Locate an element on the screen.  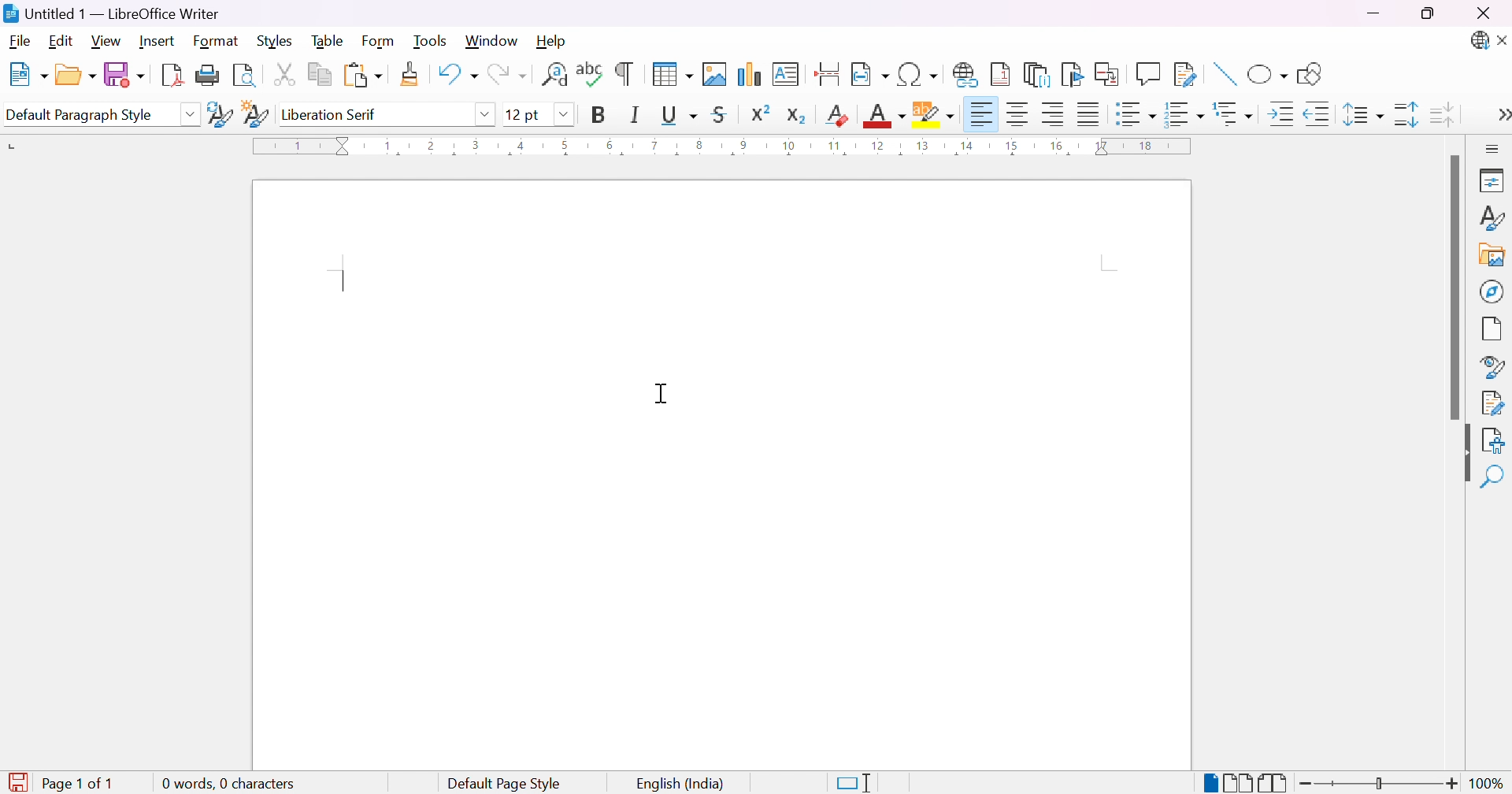
Page is located at coordinates (1493, 331).